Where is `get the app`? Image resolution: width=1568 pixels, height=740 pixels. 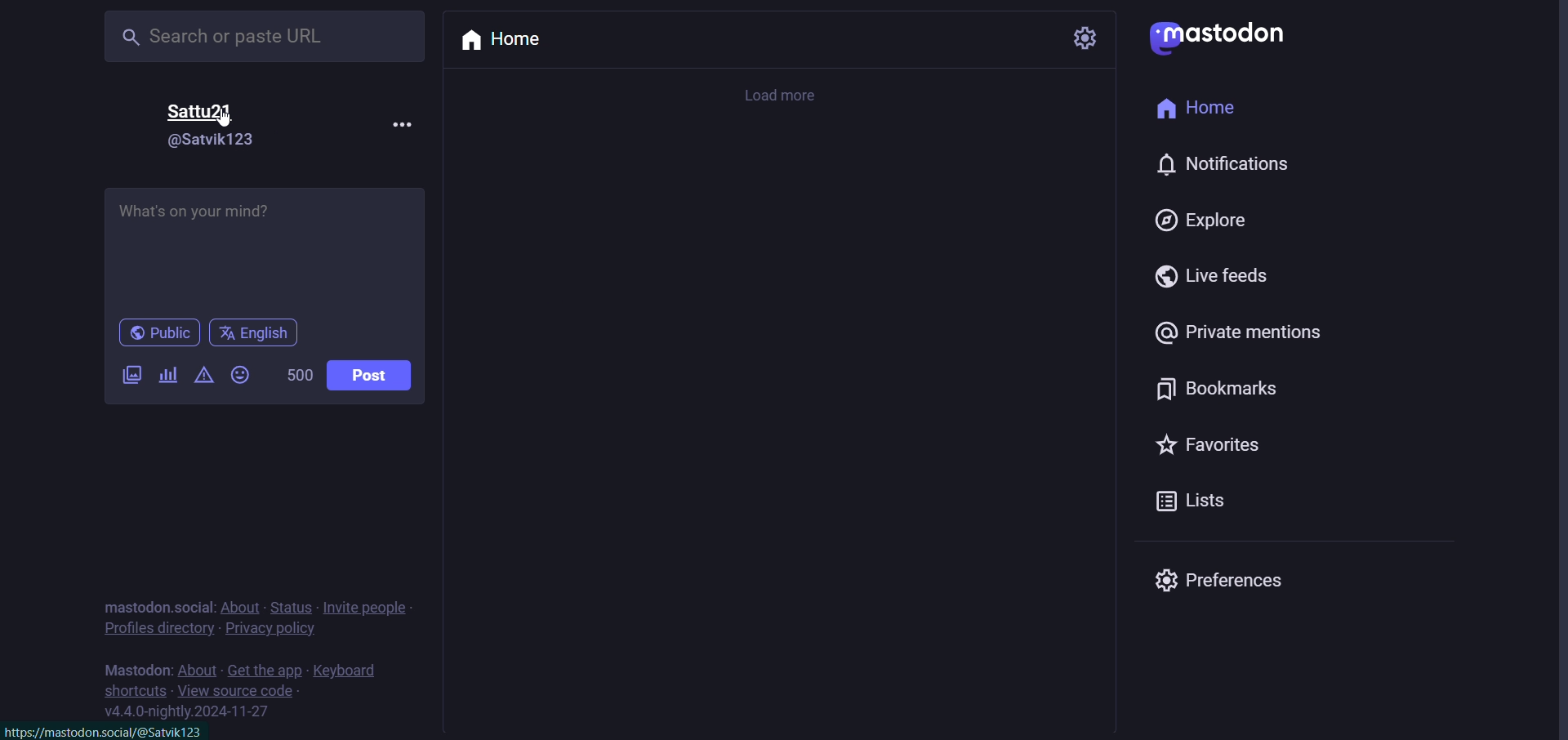 get the app is located at coordinates (264, 671).